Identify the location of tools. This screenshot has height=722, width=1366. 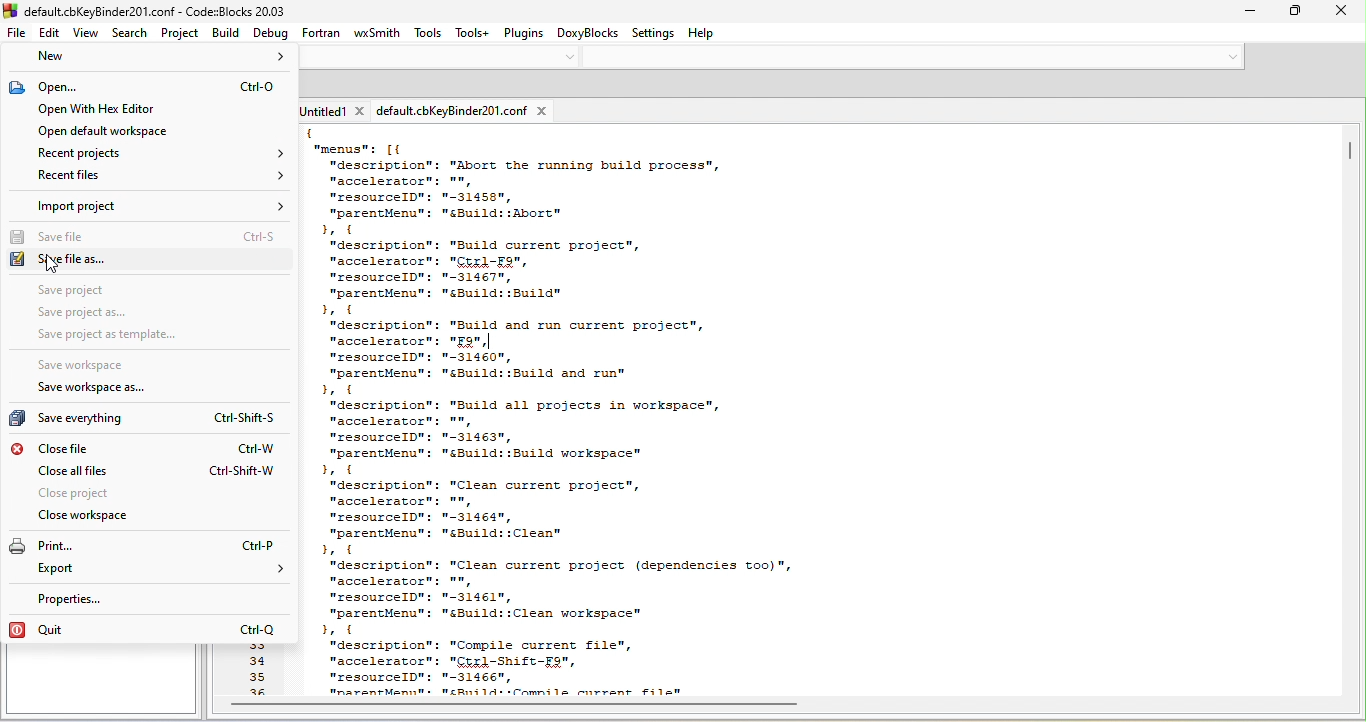
(428, 33).